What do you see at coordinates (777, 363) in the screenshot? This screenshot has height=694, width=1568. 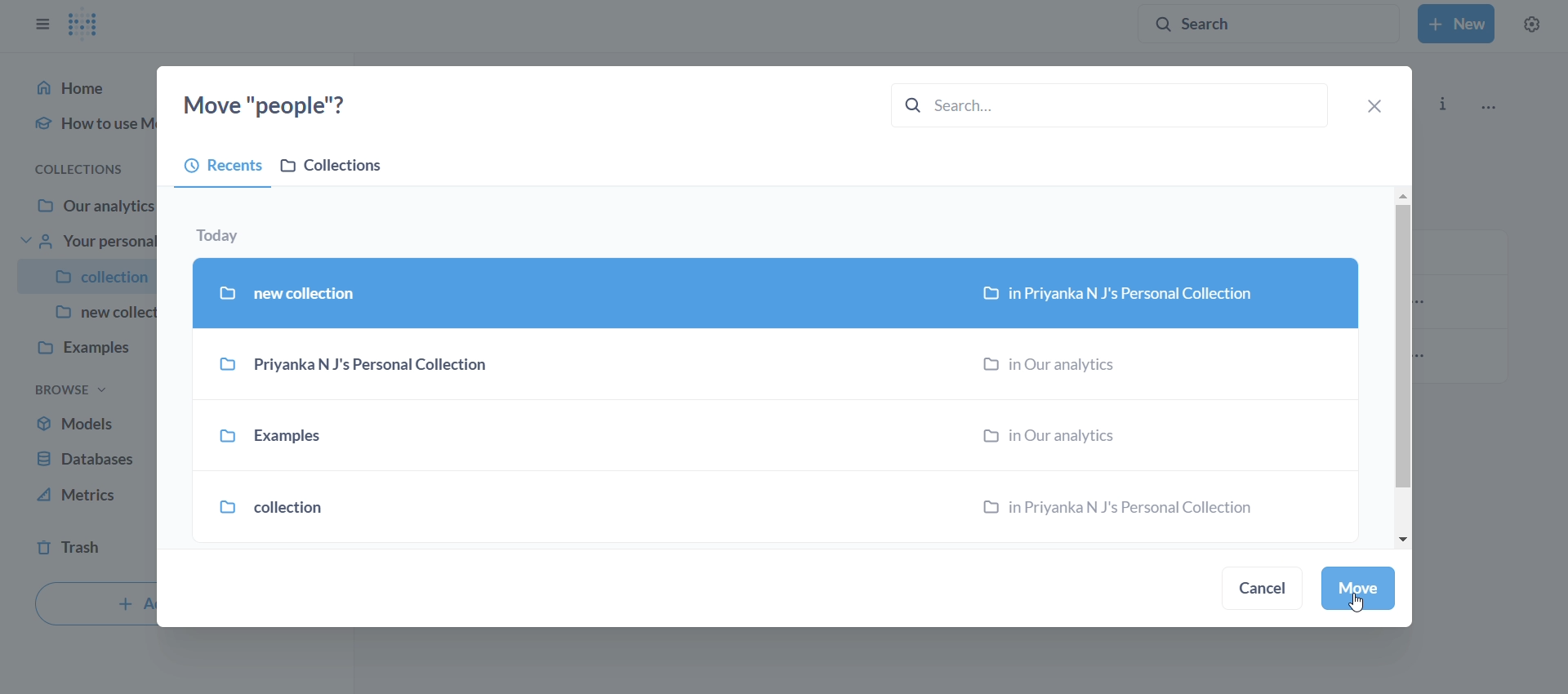 I see `Priyanka N J's Personal Collection` at bounding box center [777, 363].